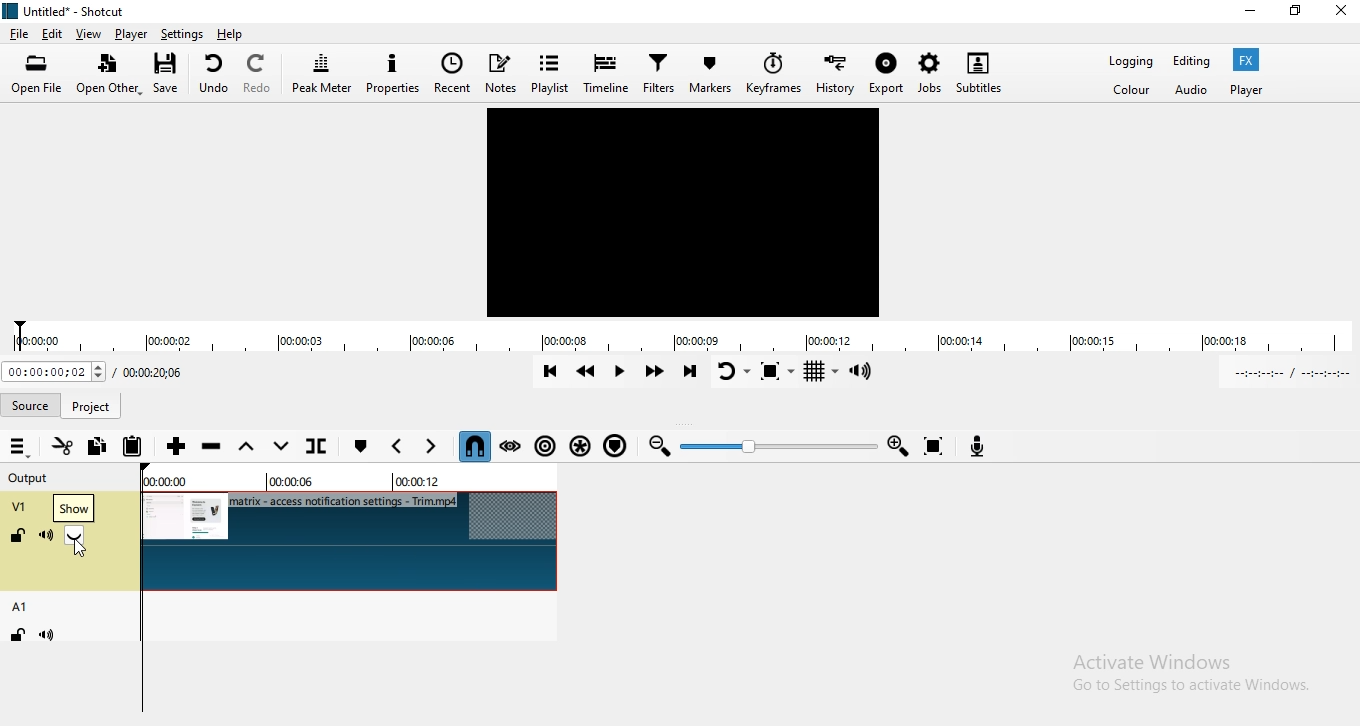 The height and width of the screenshot is (726, 1360). I want to click on , so click(318, 446).